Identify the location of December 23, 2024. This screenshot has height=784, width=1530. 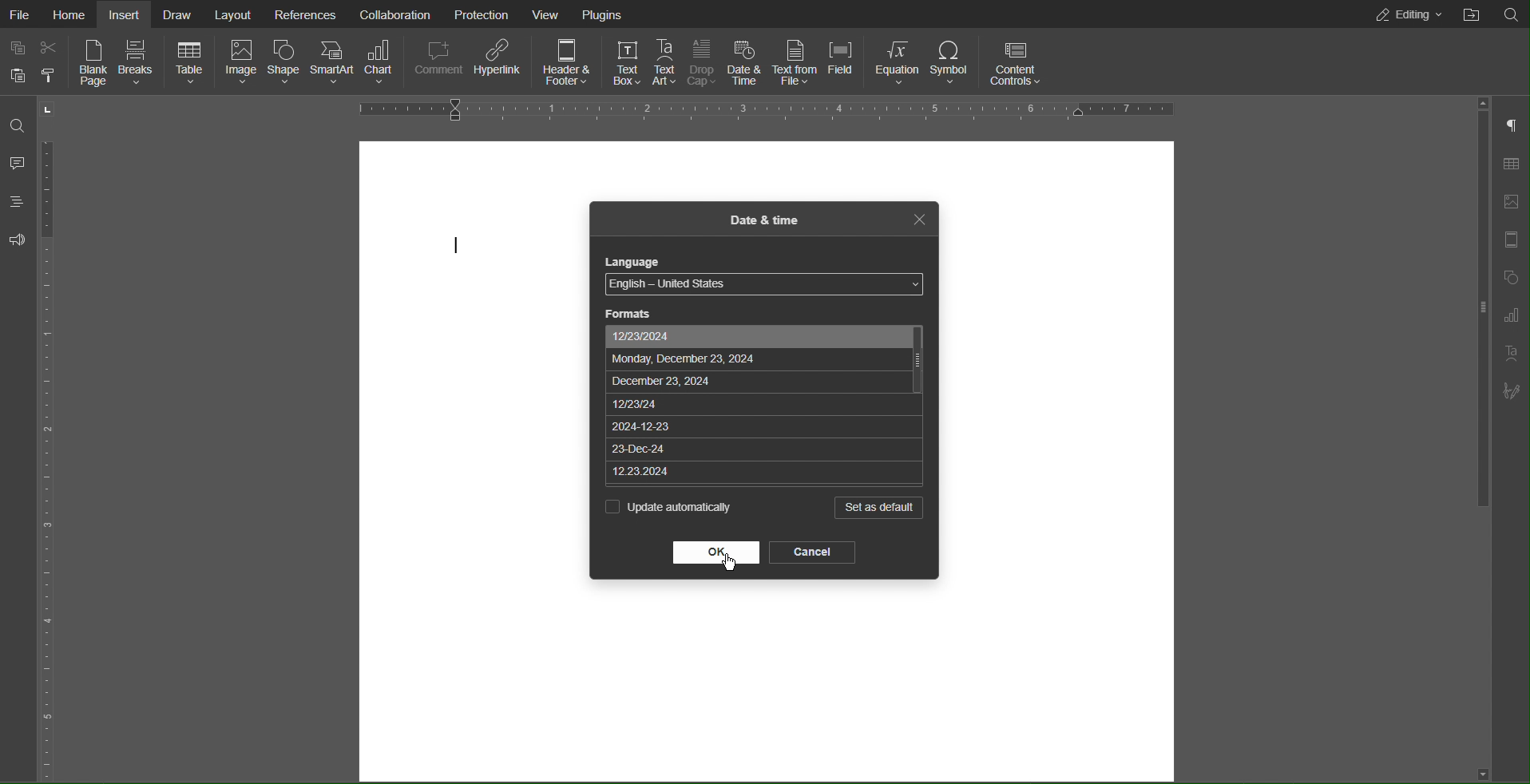
(760, 380).